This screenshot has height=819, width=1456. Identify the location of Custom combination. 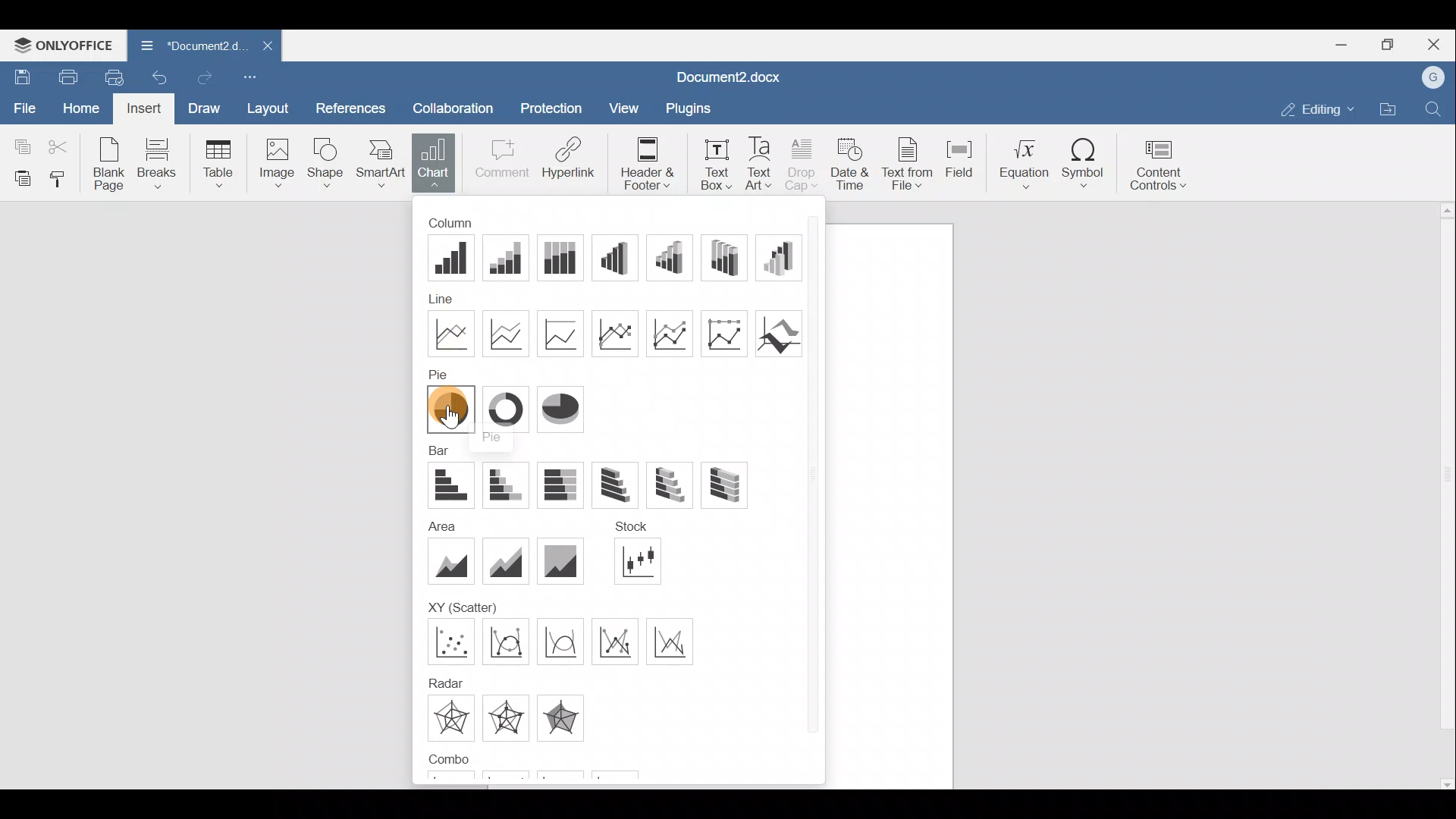
(588, 780).